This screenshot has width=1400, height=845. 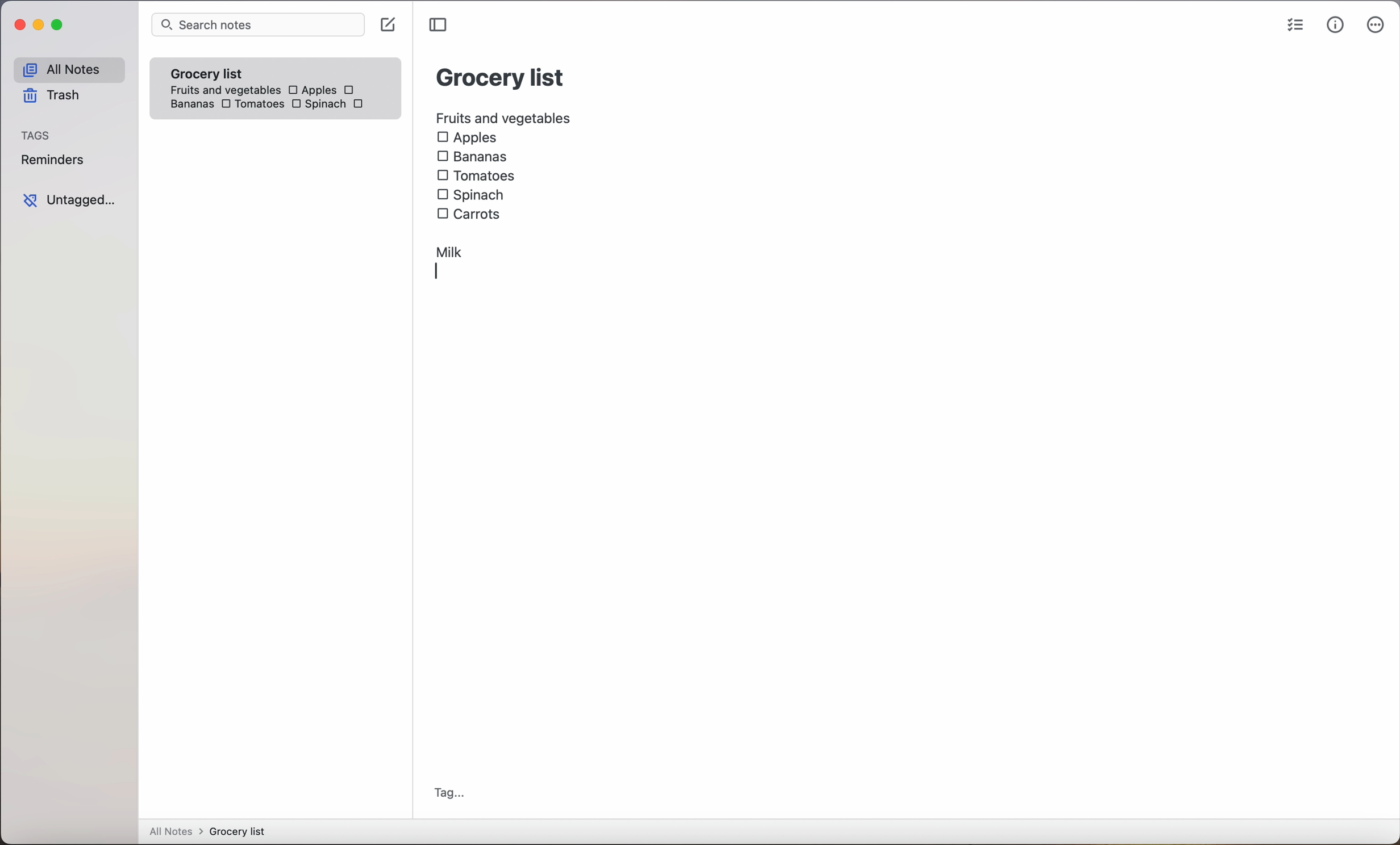 What do you see at coordinates (474, 158) in the screenshot?
I see `Bananas checkbox` at bounding box center [474, 158].